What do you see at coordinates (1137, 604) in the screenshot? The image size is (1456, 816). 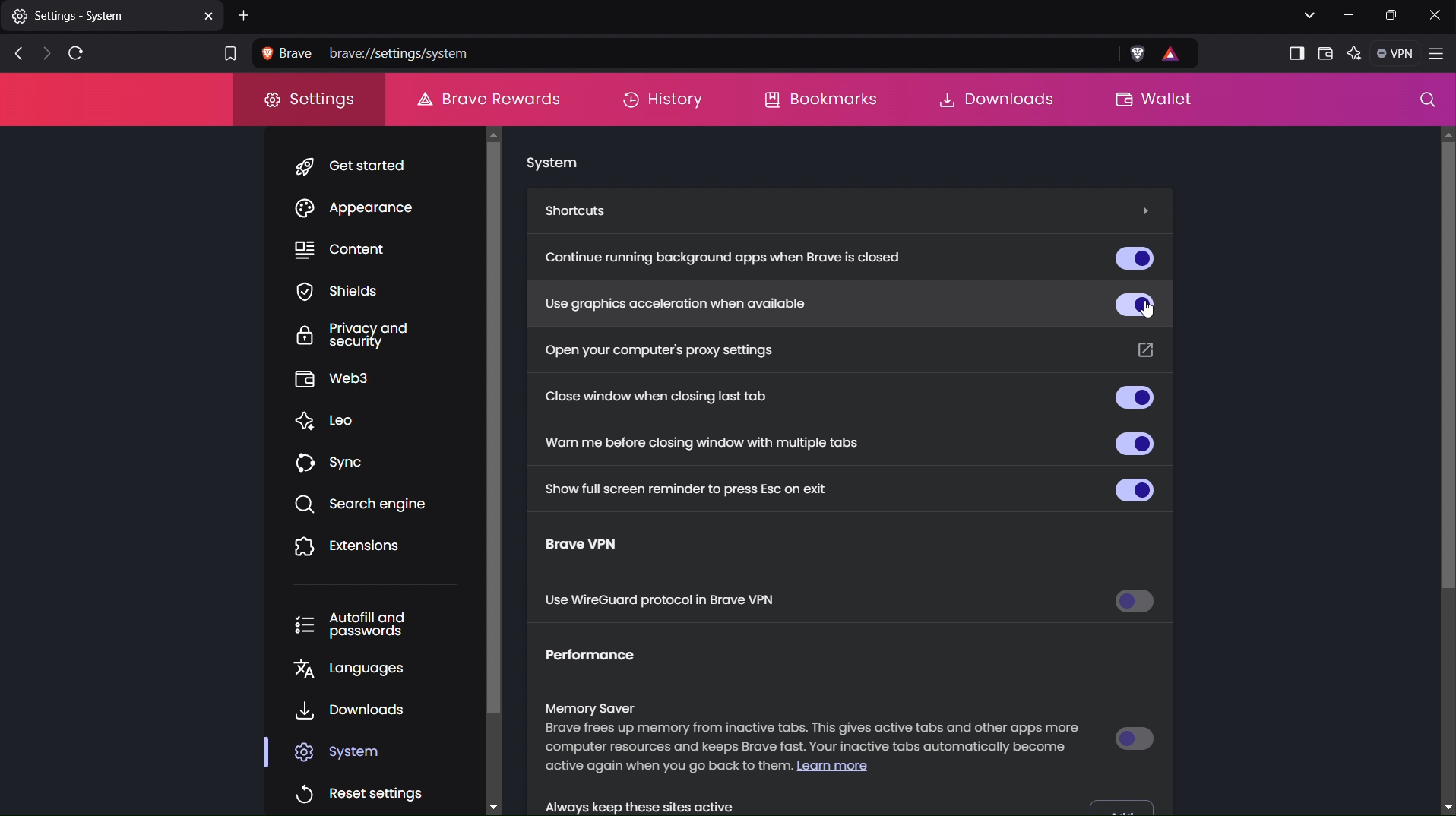 I see `Button` at bounding box center [1137, 604].